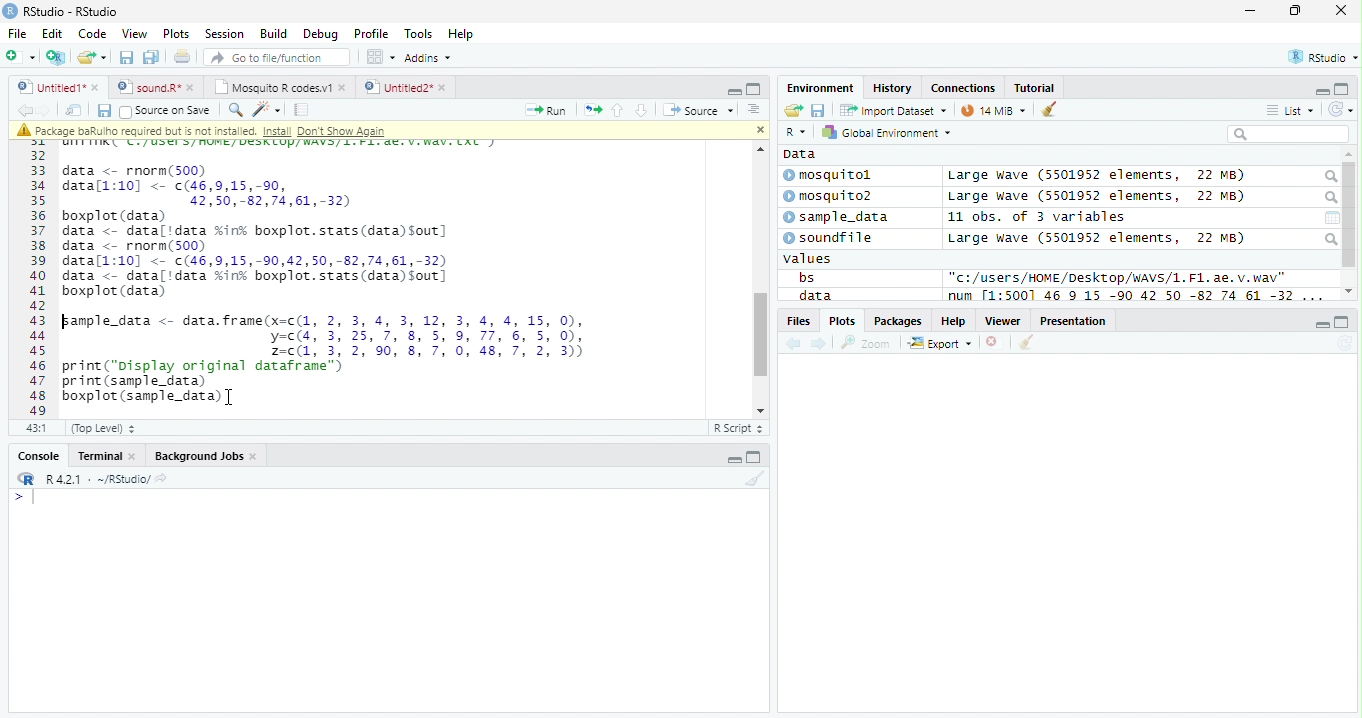  Describe the element at coordinates (758, 149) in the screenshot. I see `scroll up` at that location.